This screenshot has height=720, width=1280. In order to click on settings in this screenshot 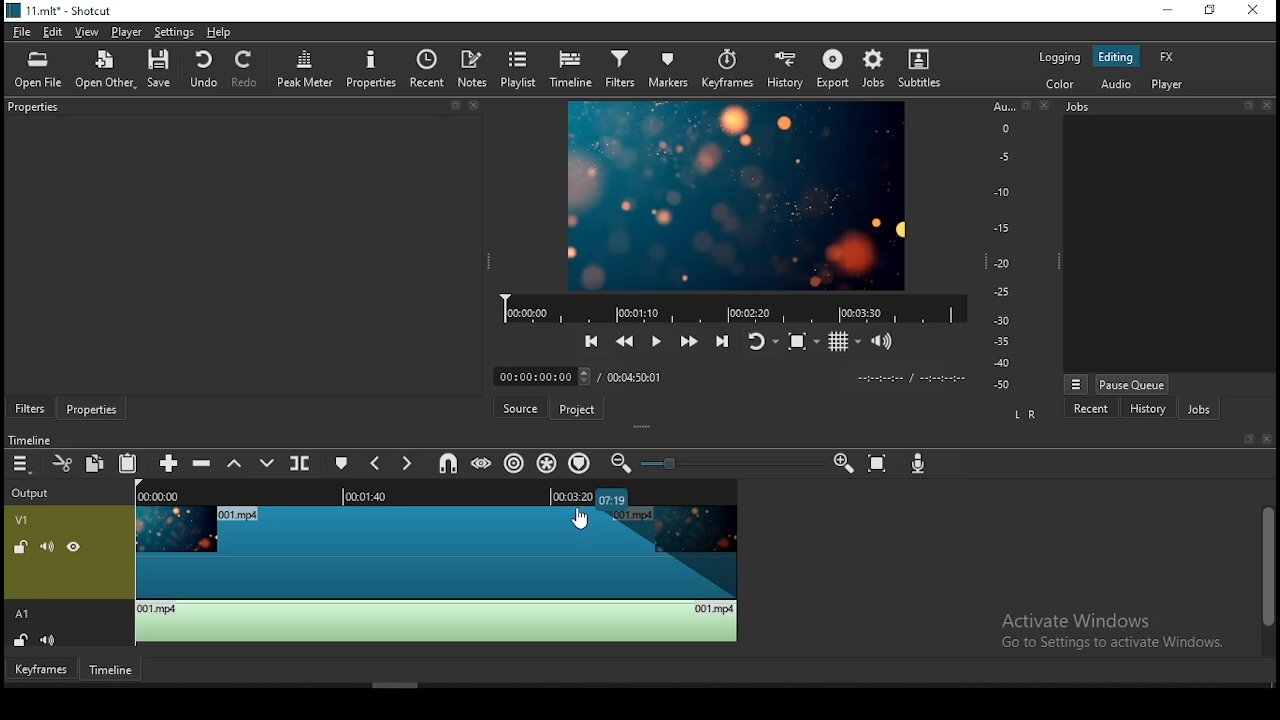, I will do `click(174, 31)`.